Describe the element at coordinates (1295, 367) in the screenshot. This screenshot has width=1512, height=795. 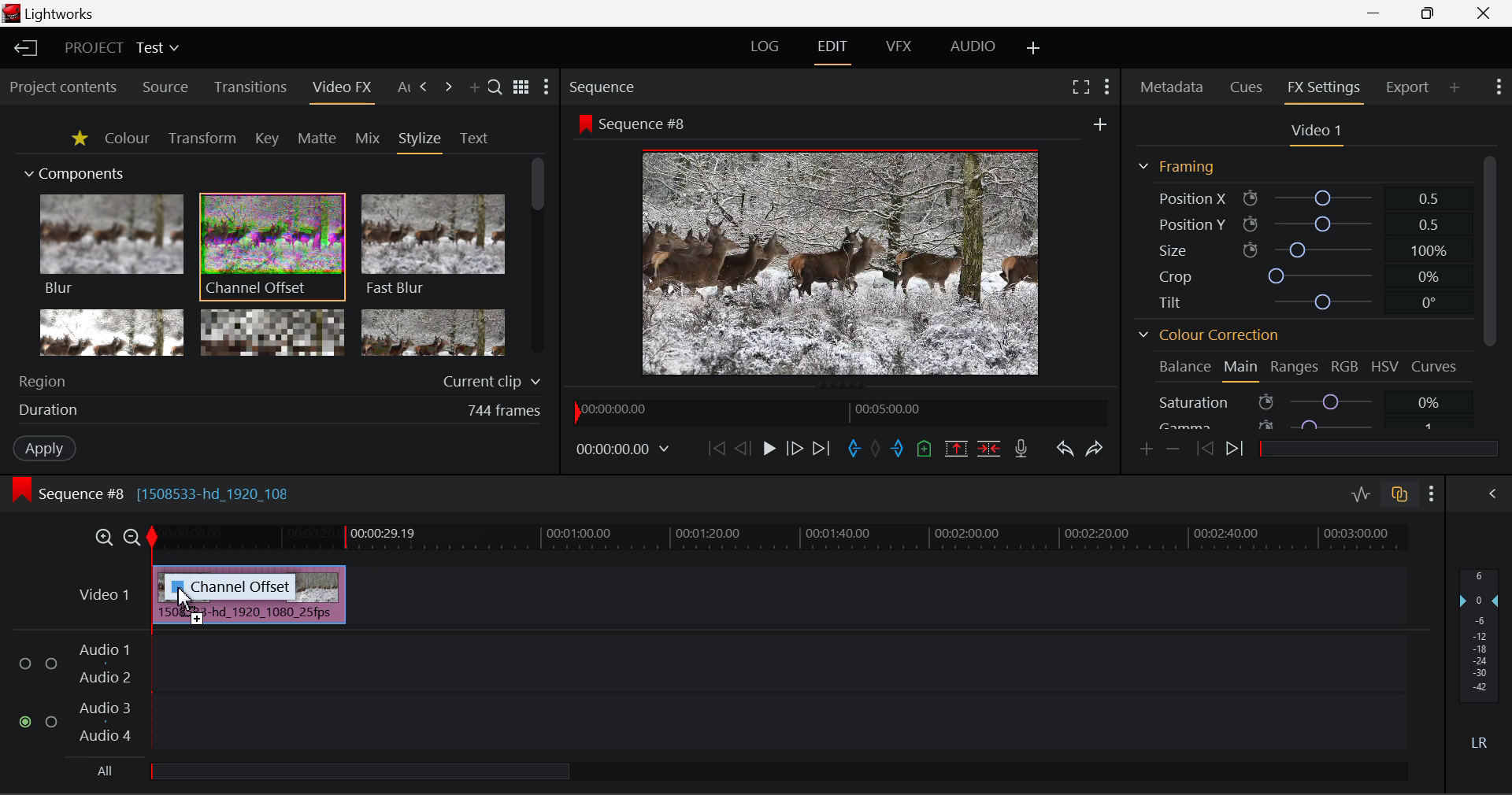
I see `Ranges` at that location.